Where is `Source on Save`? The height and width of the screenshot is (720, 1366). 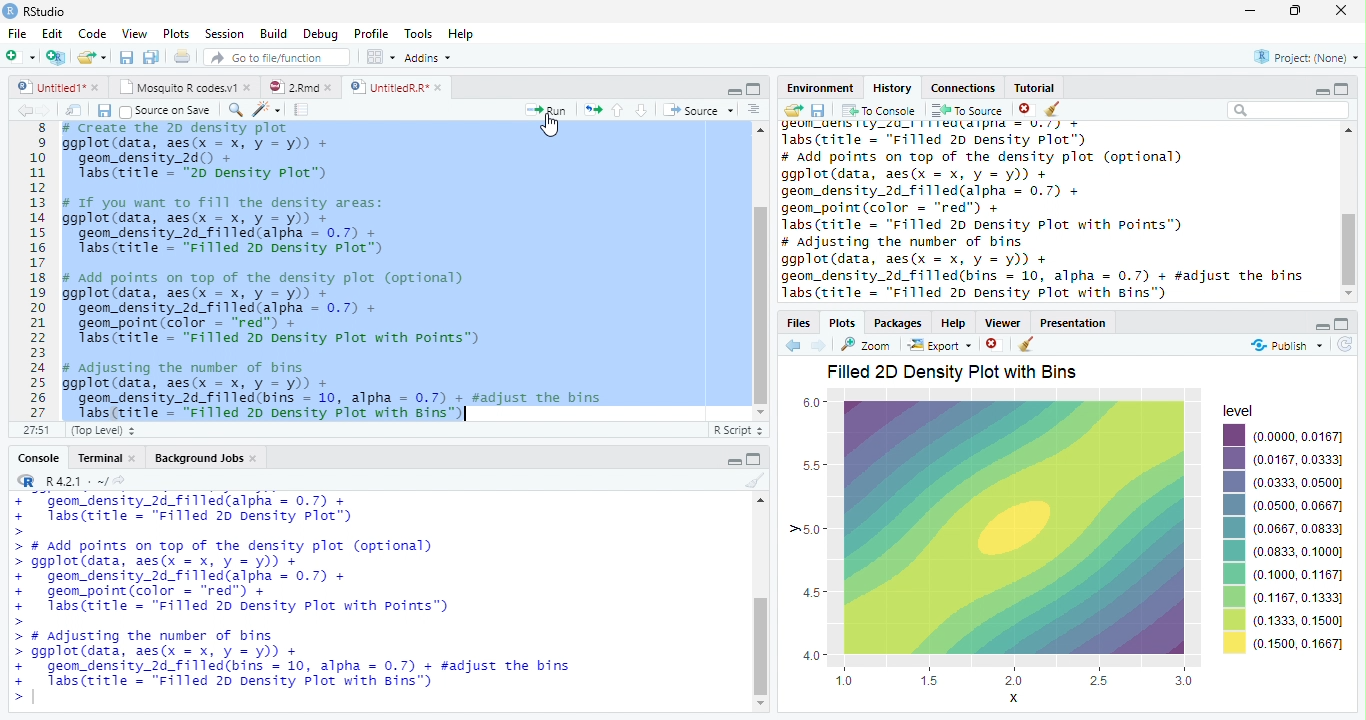
Source on Save is located at coordinates (163, 111).